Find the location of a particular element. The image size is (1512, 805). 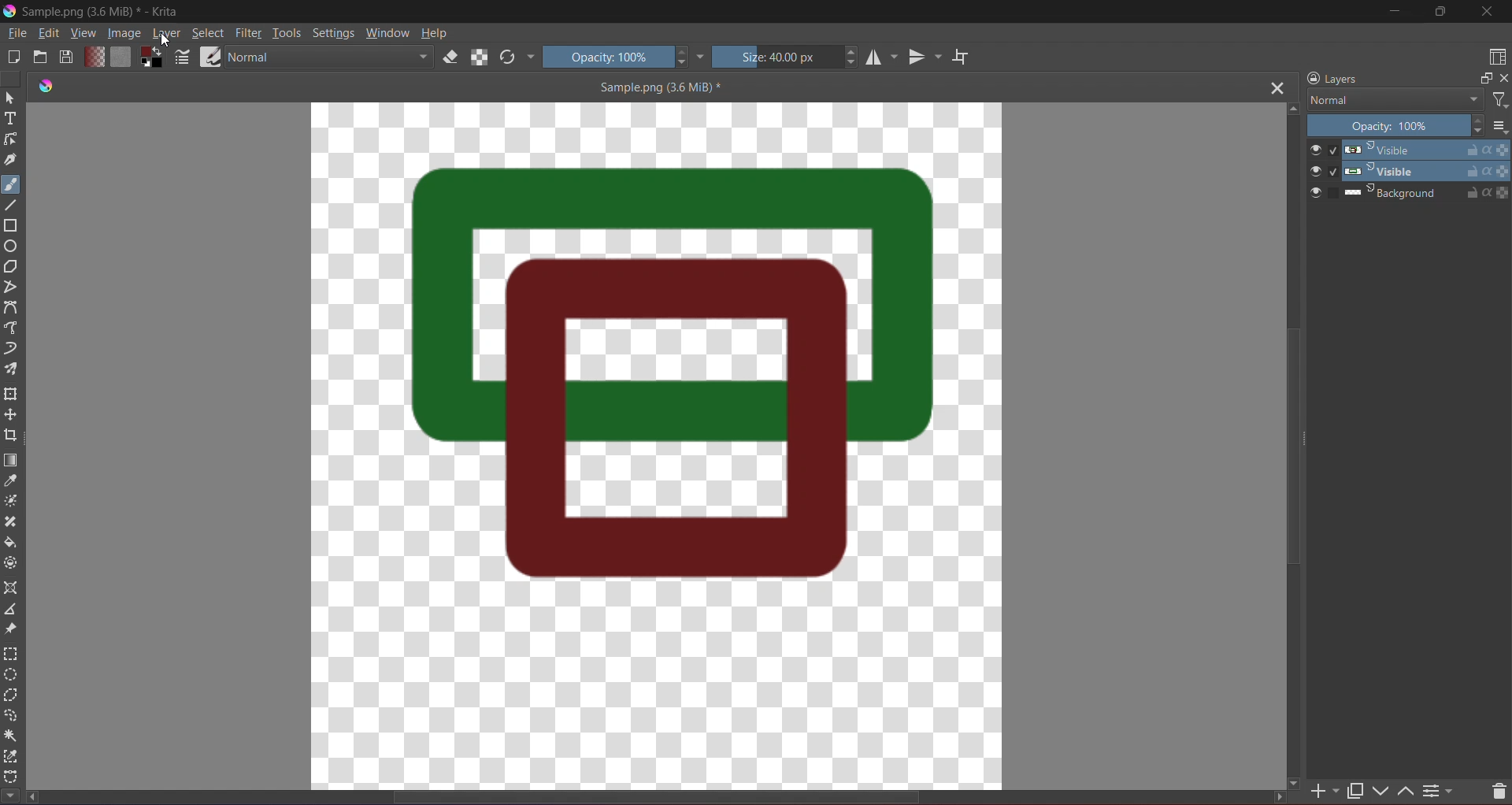

Save is located at coordinates (66, 57).